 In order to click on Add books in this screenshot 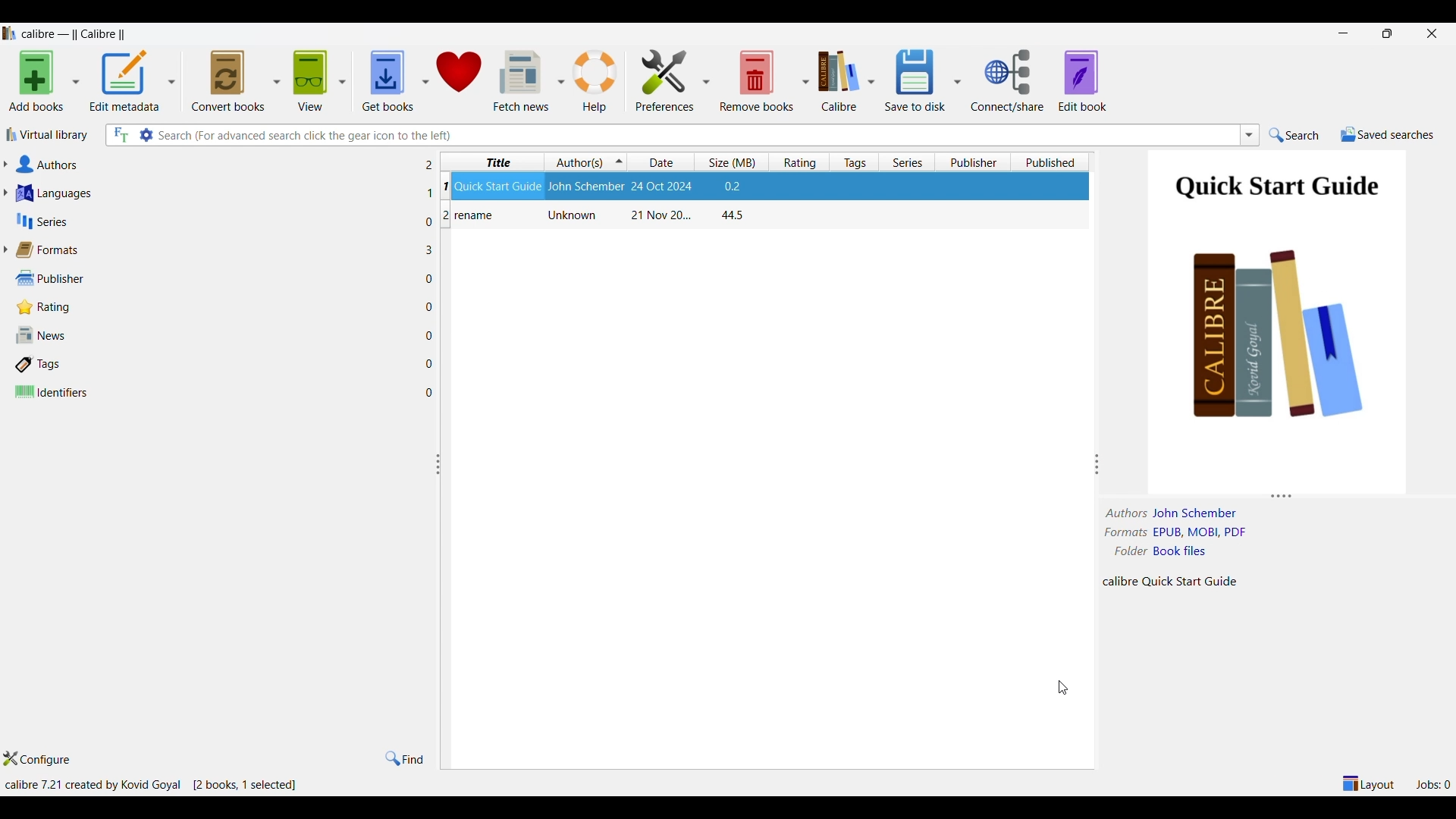, I will do `click(36, 81)`.